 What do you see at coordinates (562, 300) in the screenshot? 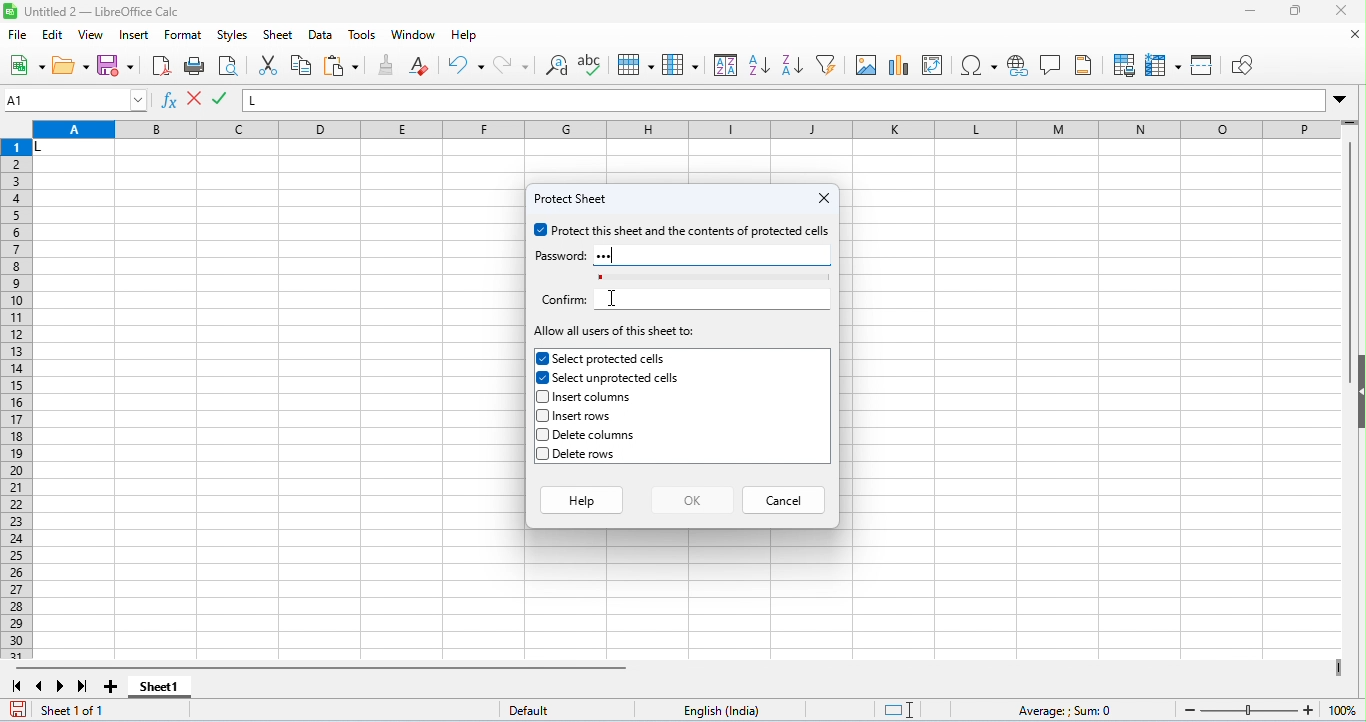
I see `confirm` at bounding box center [562, 300].